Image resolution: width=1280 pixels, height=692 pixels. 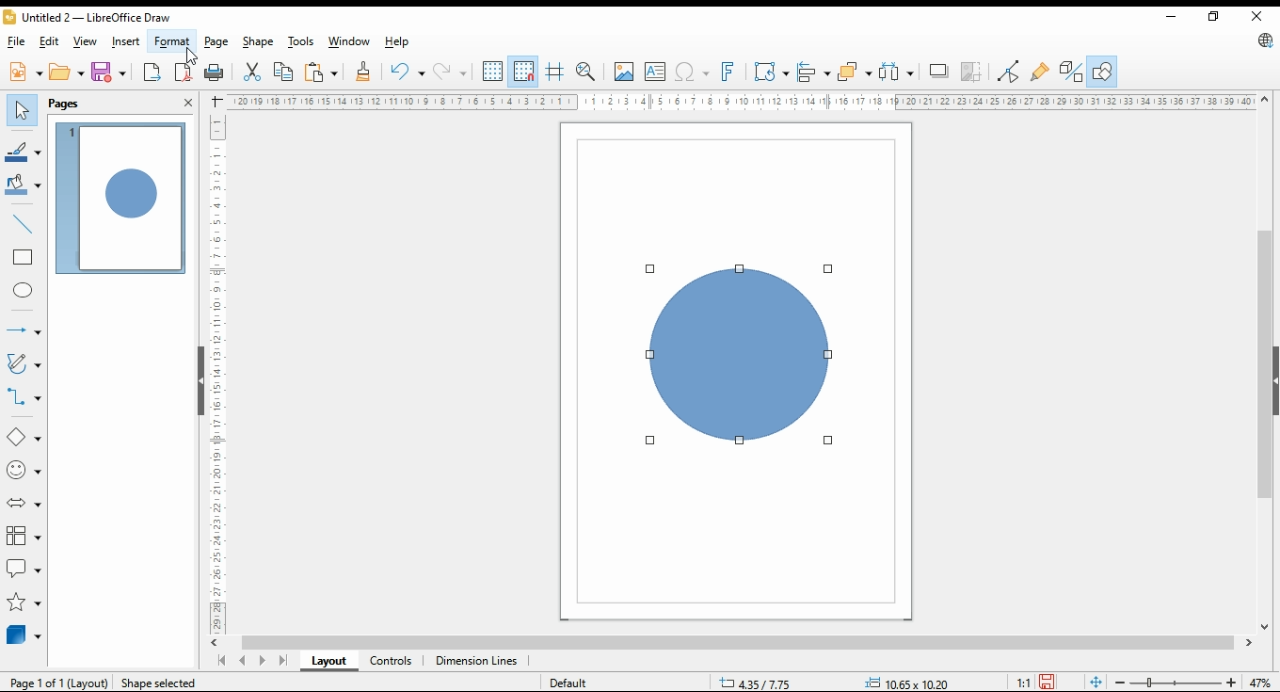 I want to click on helplines while moving, so click(x=553, y=72).